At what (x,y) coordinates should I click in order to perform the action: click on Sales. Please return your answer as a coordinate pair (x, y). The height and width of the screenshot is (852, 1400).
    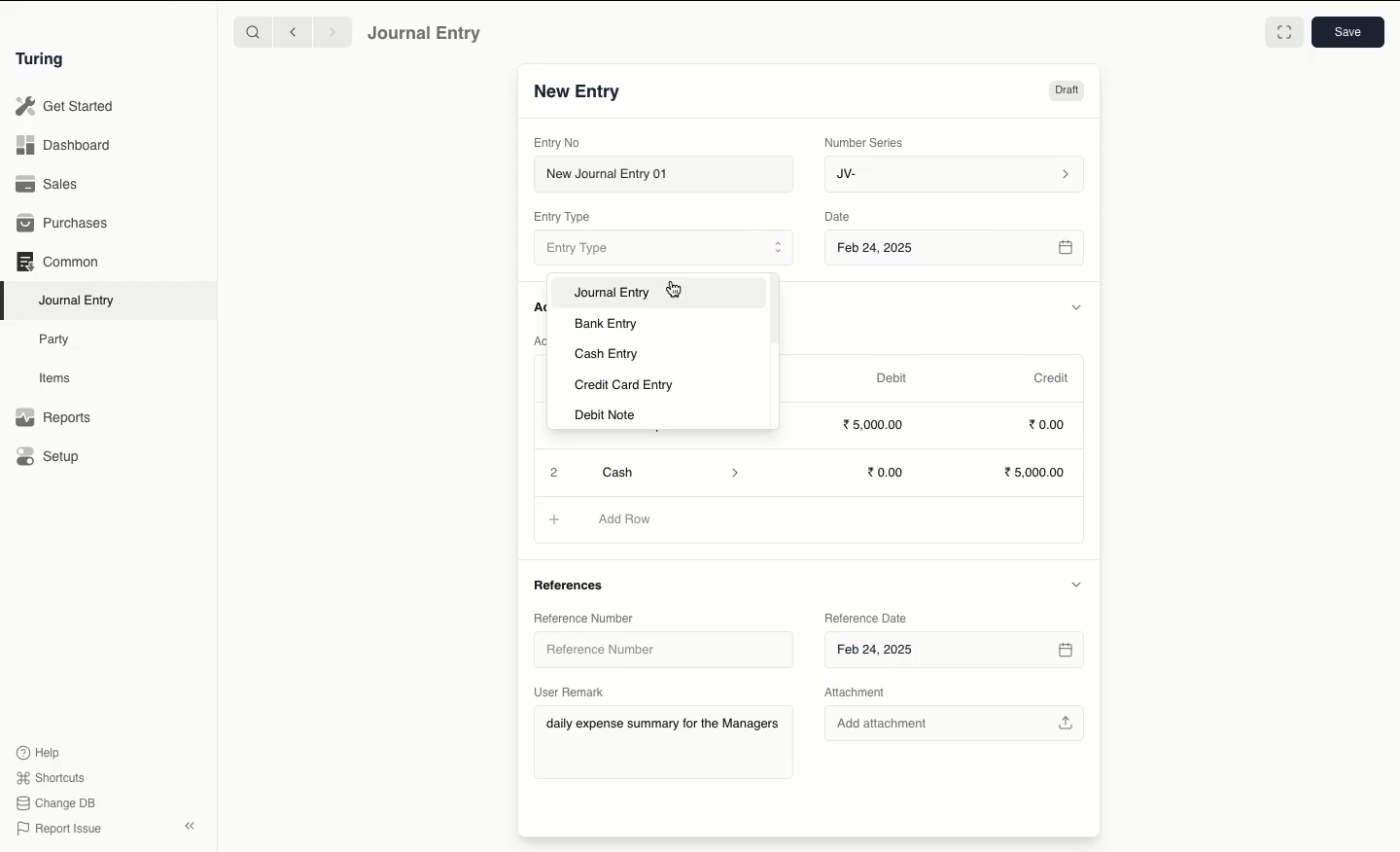
    Looking at the image, I should click on (50, 184).